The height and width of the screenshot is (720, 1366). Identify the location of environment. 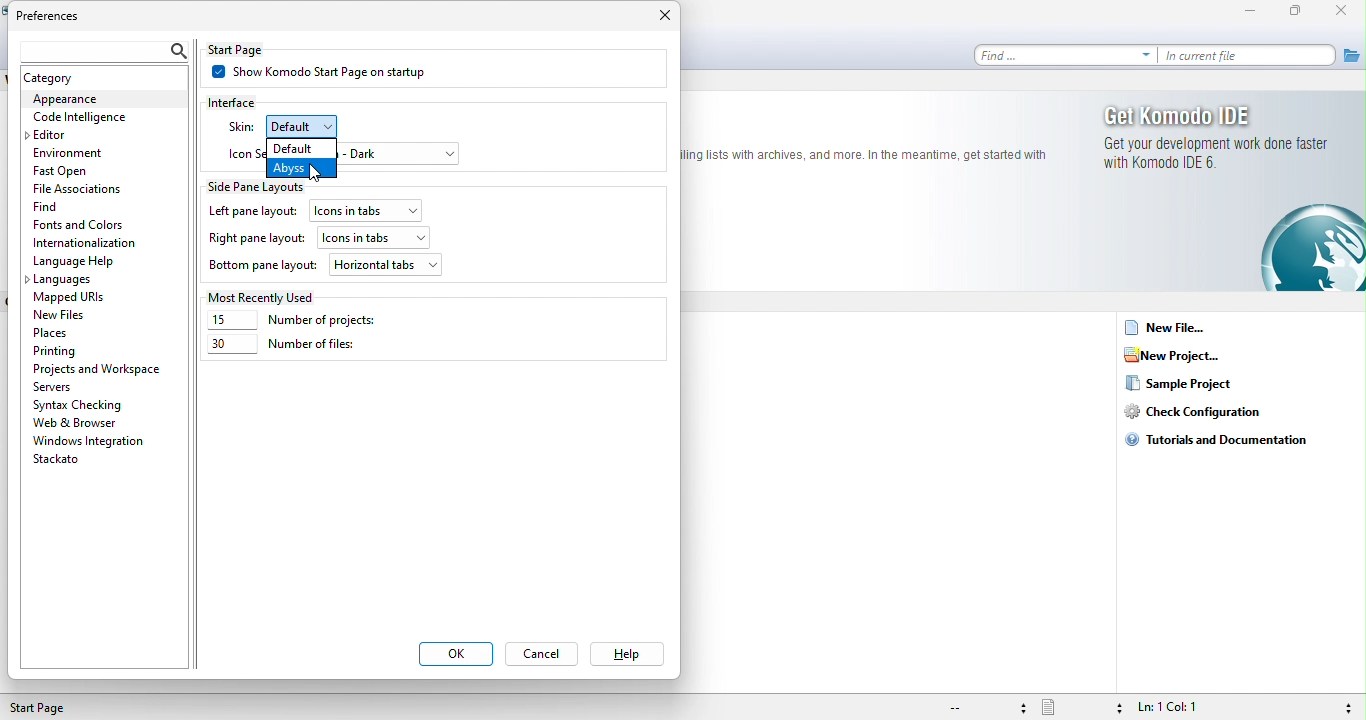
(74, 152).